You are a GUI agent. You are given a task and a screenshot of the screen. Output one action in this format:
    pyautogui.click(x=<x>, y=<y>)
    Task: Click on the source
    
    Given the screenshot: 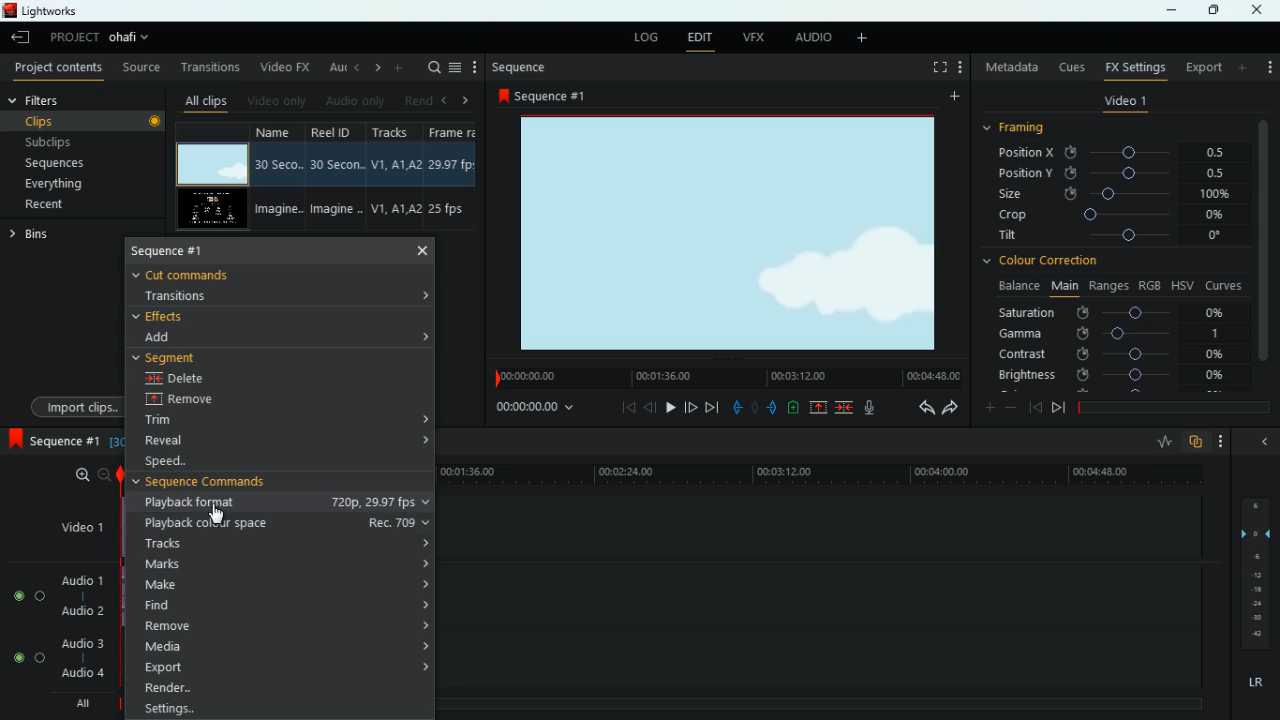 What is the action you would take?
    pyautogui.click(x=139, y=68)
    